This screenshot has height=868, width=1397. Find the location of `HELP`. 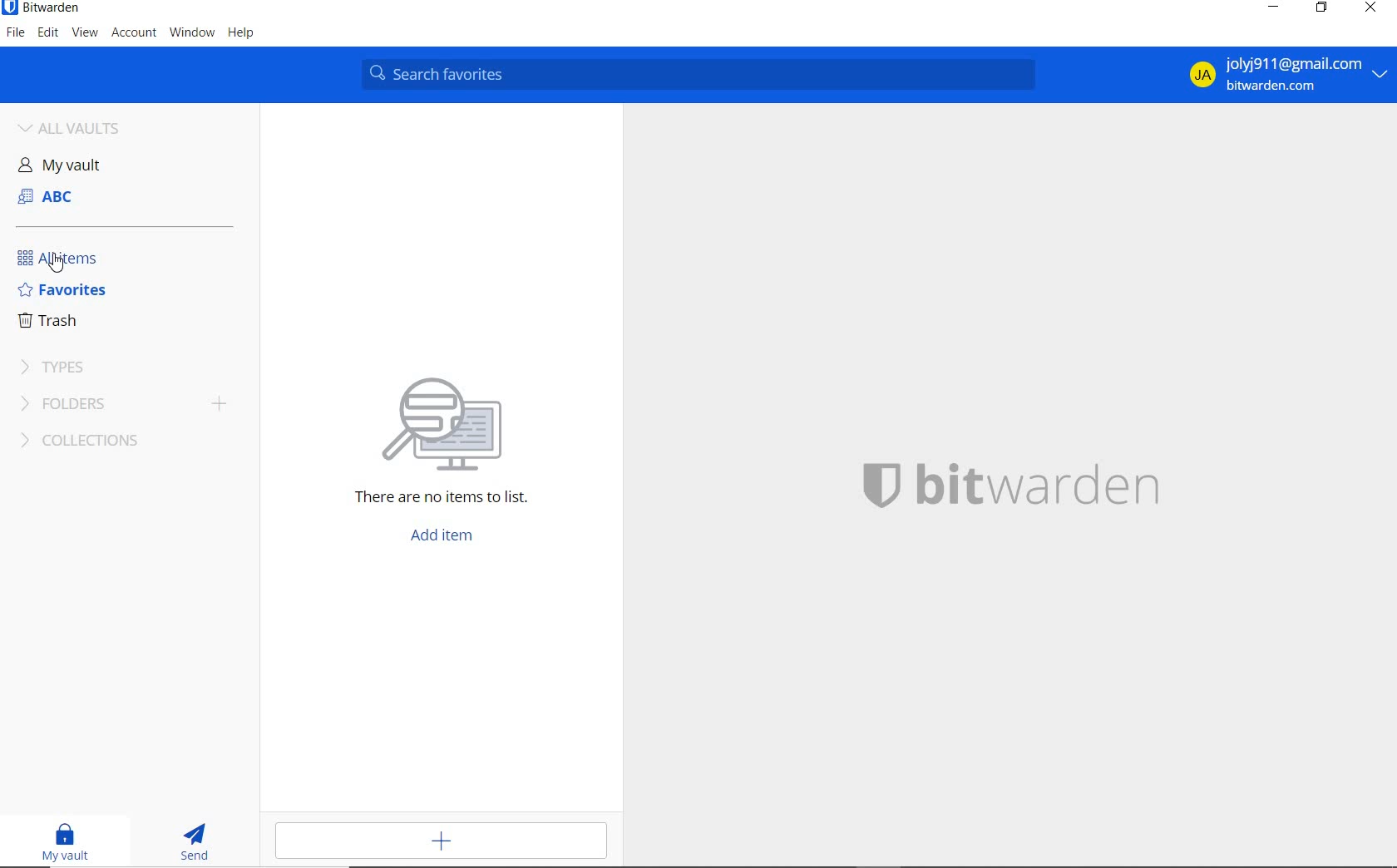

HELP is located at coordinates (241, 34).